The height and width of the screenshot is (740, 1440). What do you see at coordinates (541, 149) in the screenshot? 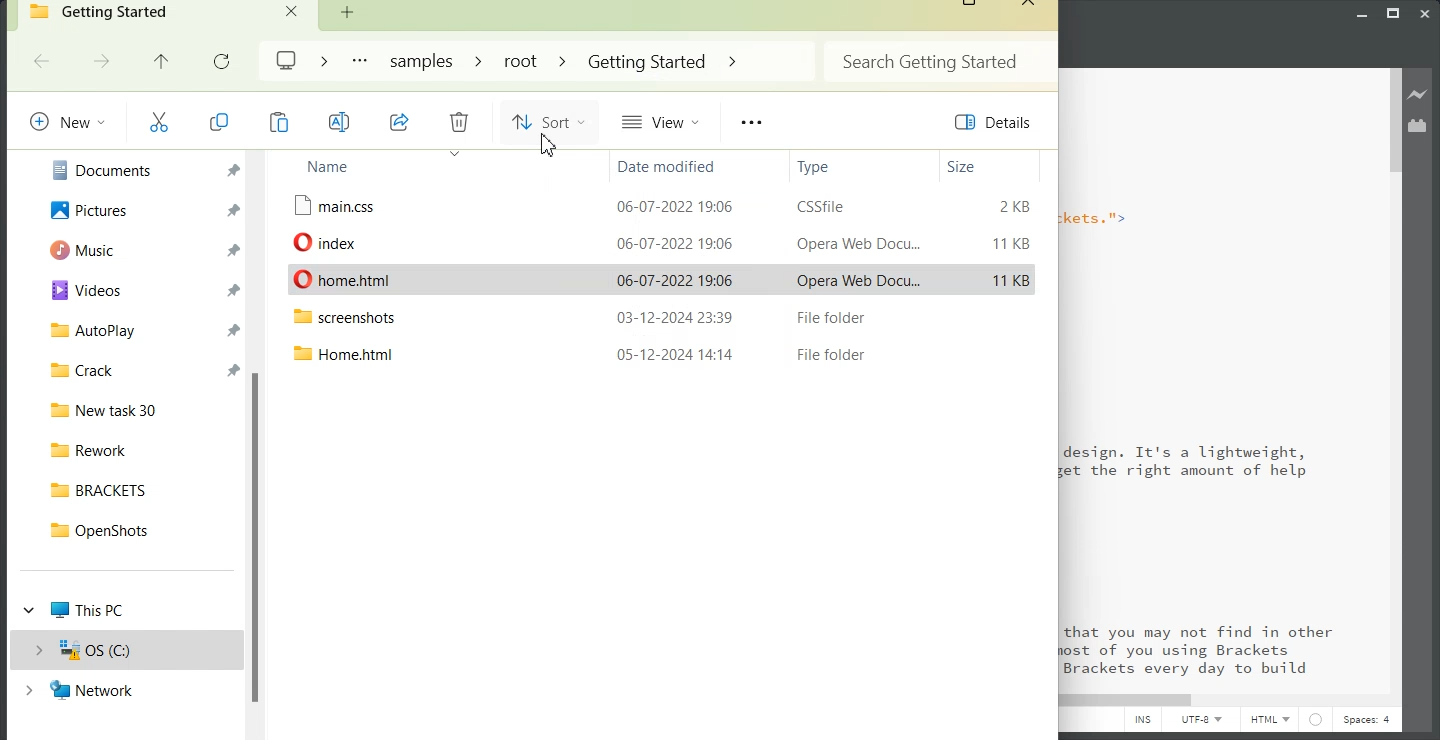
I see `cursor` at bounding box center [541, 149].